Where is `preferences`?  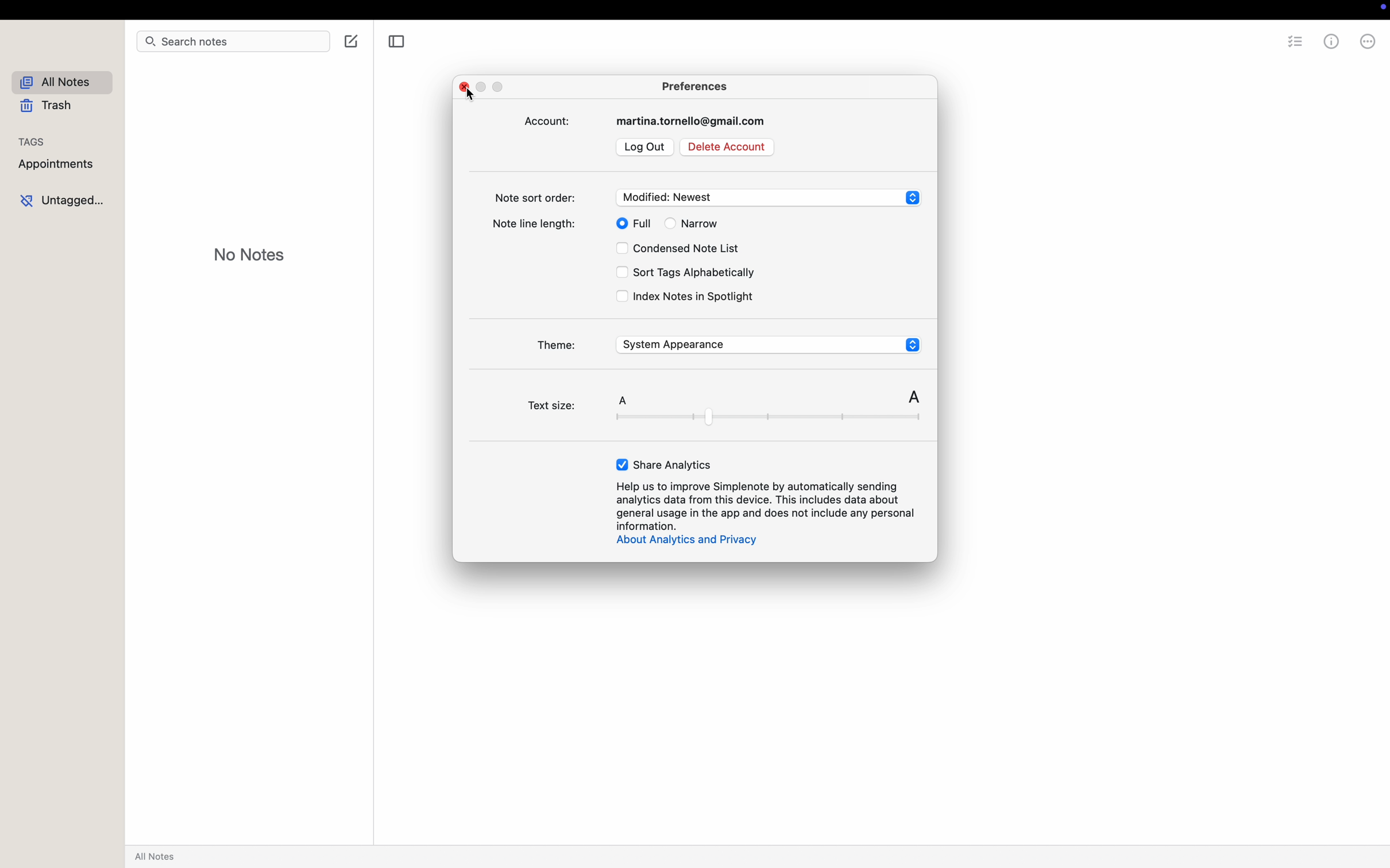 preferences is located at coordinates (697, 85).